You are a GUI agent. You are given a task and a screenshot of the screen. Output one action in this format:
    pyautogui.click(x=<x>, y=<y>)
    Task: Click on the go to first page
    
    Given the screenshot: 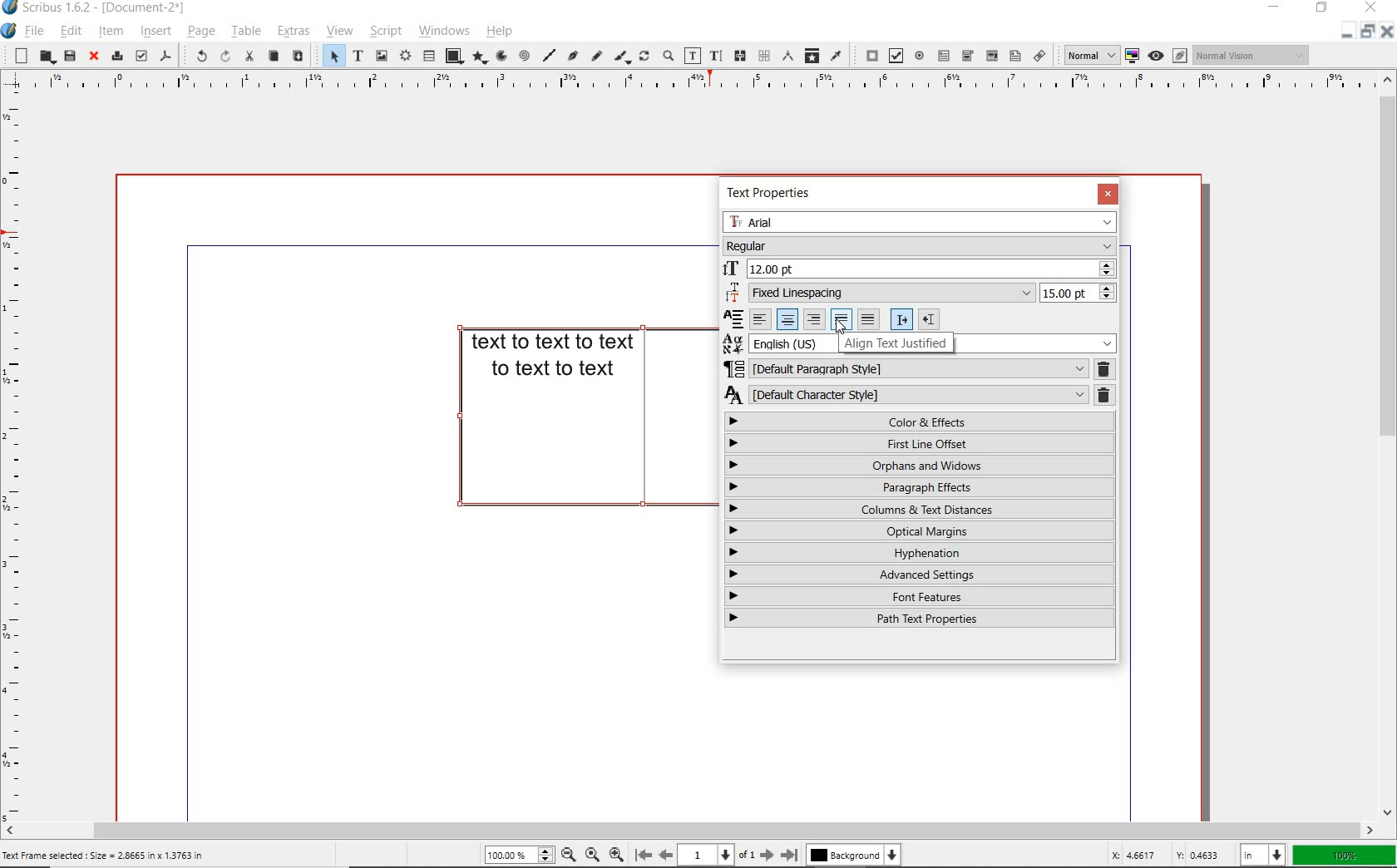 What is the action you would take?
    pyautogui.click(x=644, y=855)
    